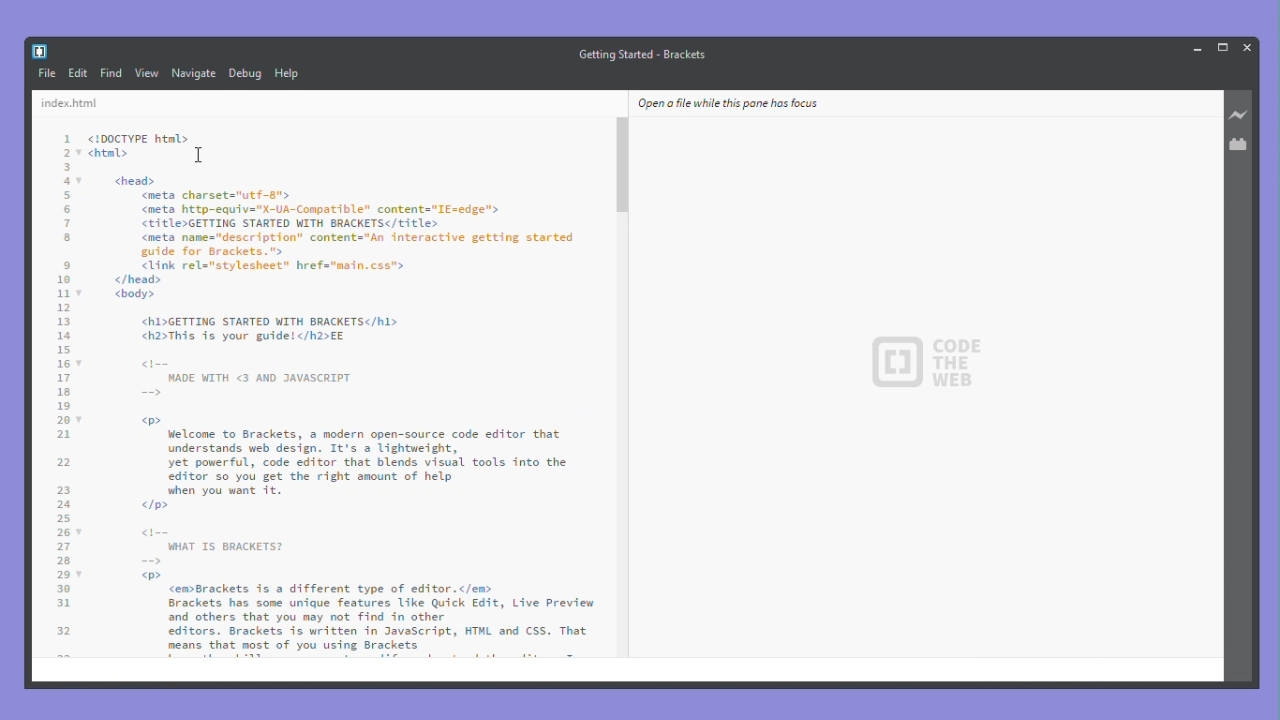 Image resolution: width=1280 pixels, height=720 pixels. What do you see at coordinates (195, 73) in the screenshot?
I see `Navigate` at bounding box center [195, 73].